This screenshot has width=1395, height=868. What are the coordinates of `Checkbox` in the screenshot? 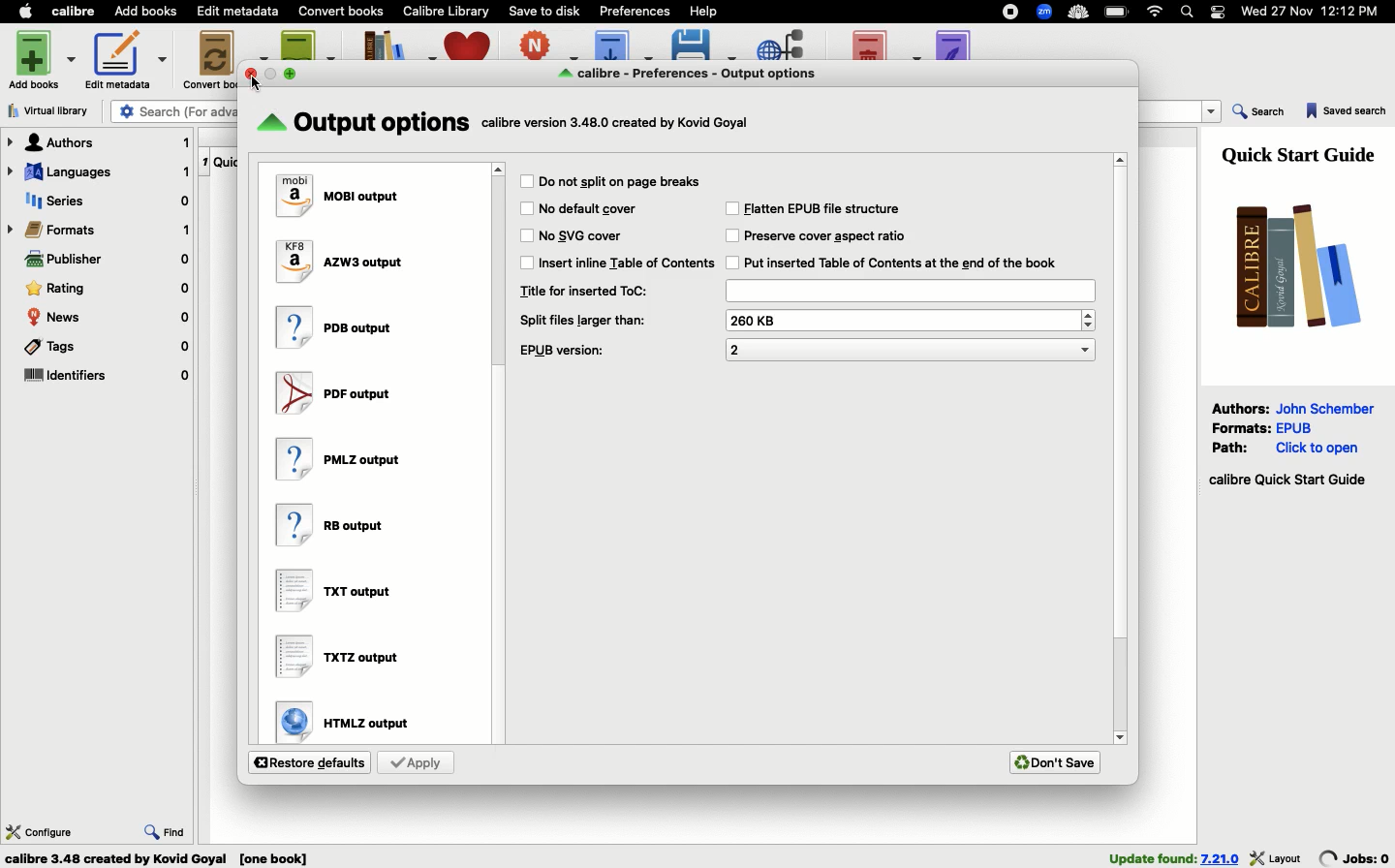 It's located at (526, 263).